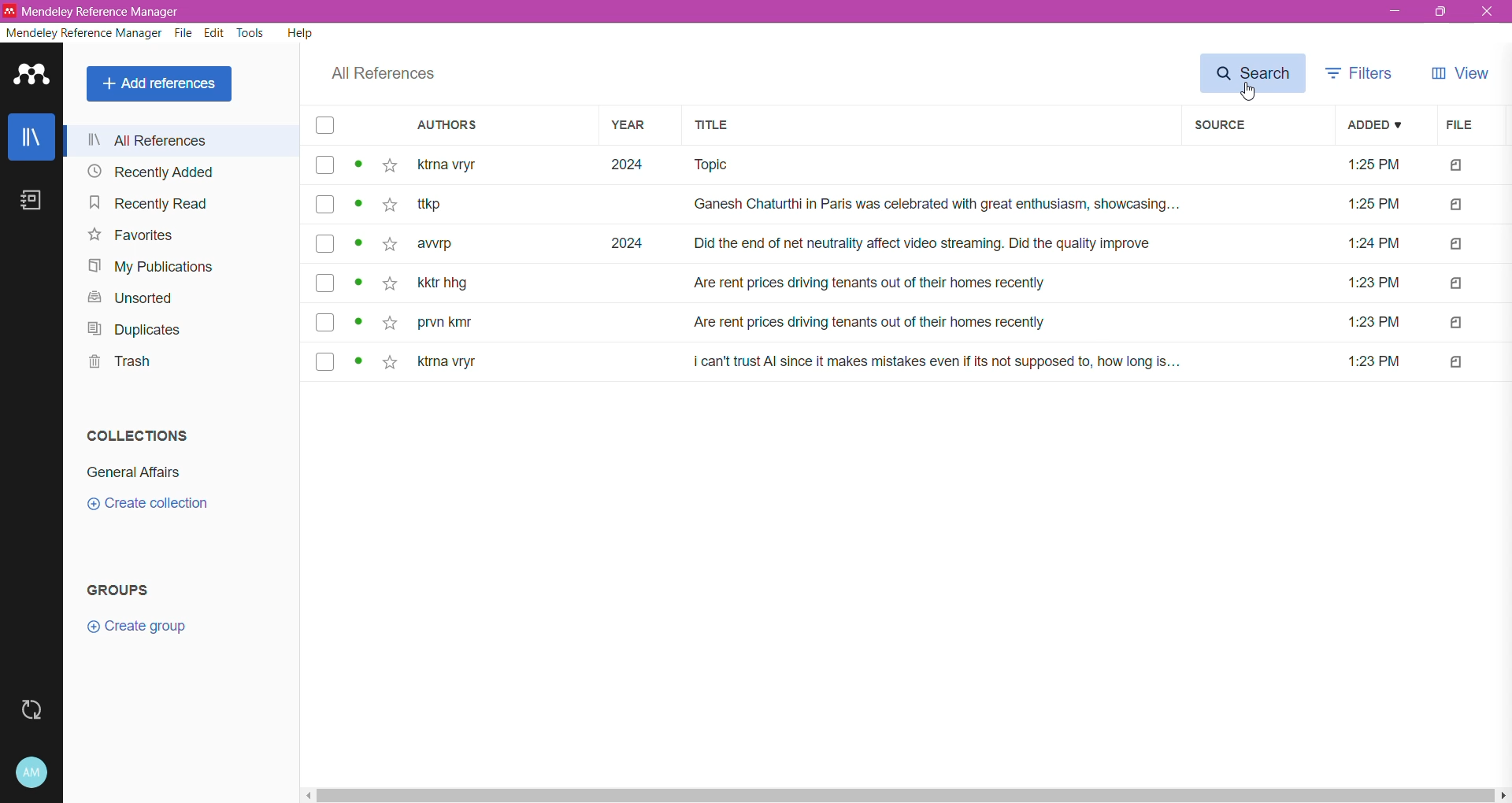 This screenshot has height=803, width=1512. What do you see at coordinates (389, 246) in the screenshot?
I see `click here to add to favourites` at bounding box center [389, 246].